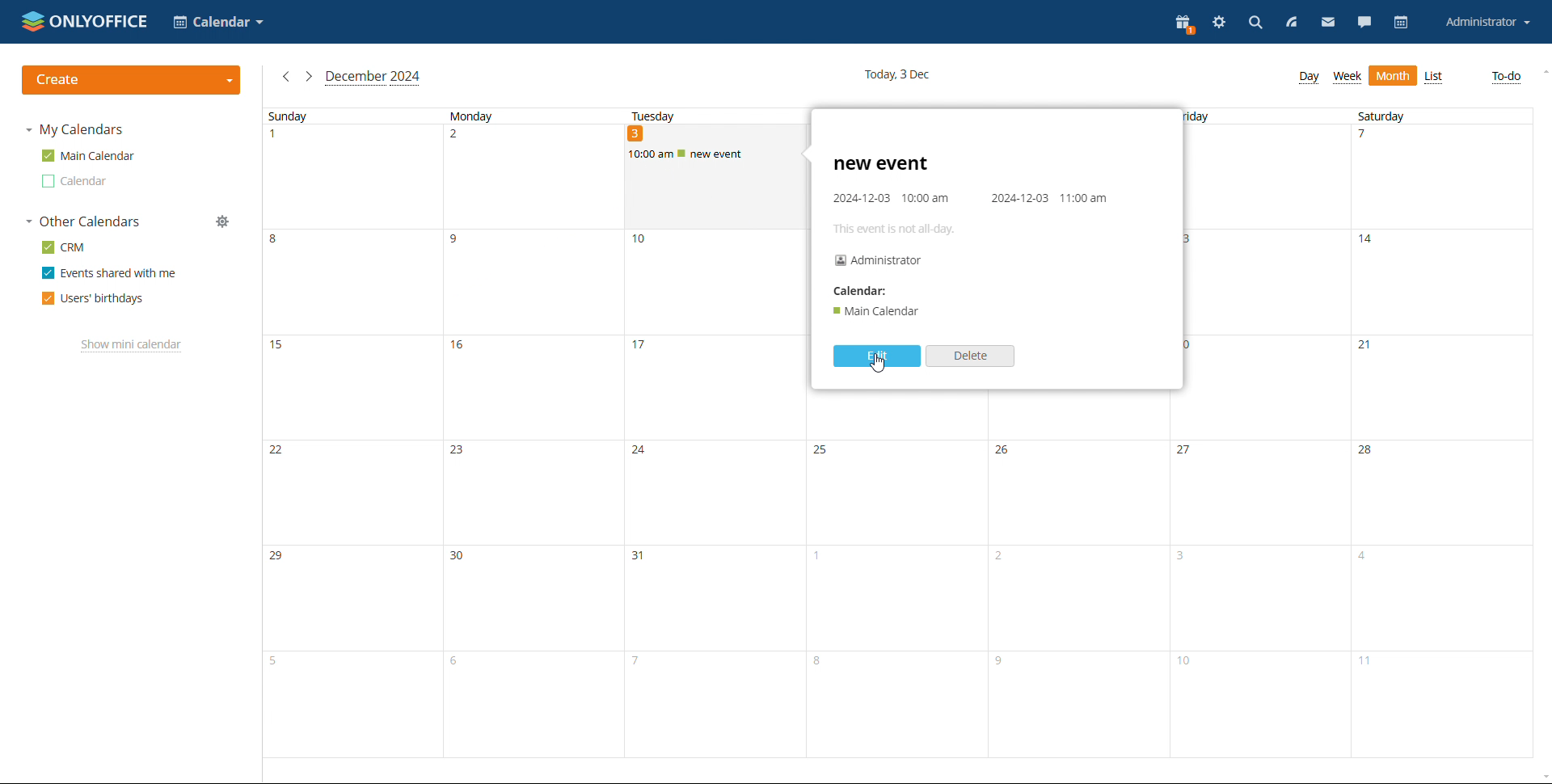  I want to click on 4, so click(1445, 597).